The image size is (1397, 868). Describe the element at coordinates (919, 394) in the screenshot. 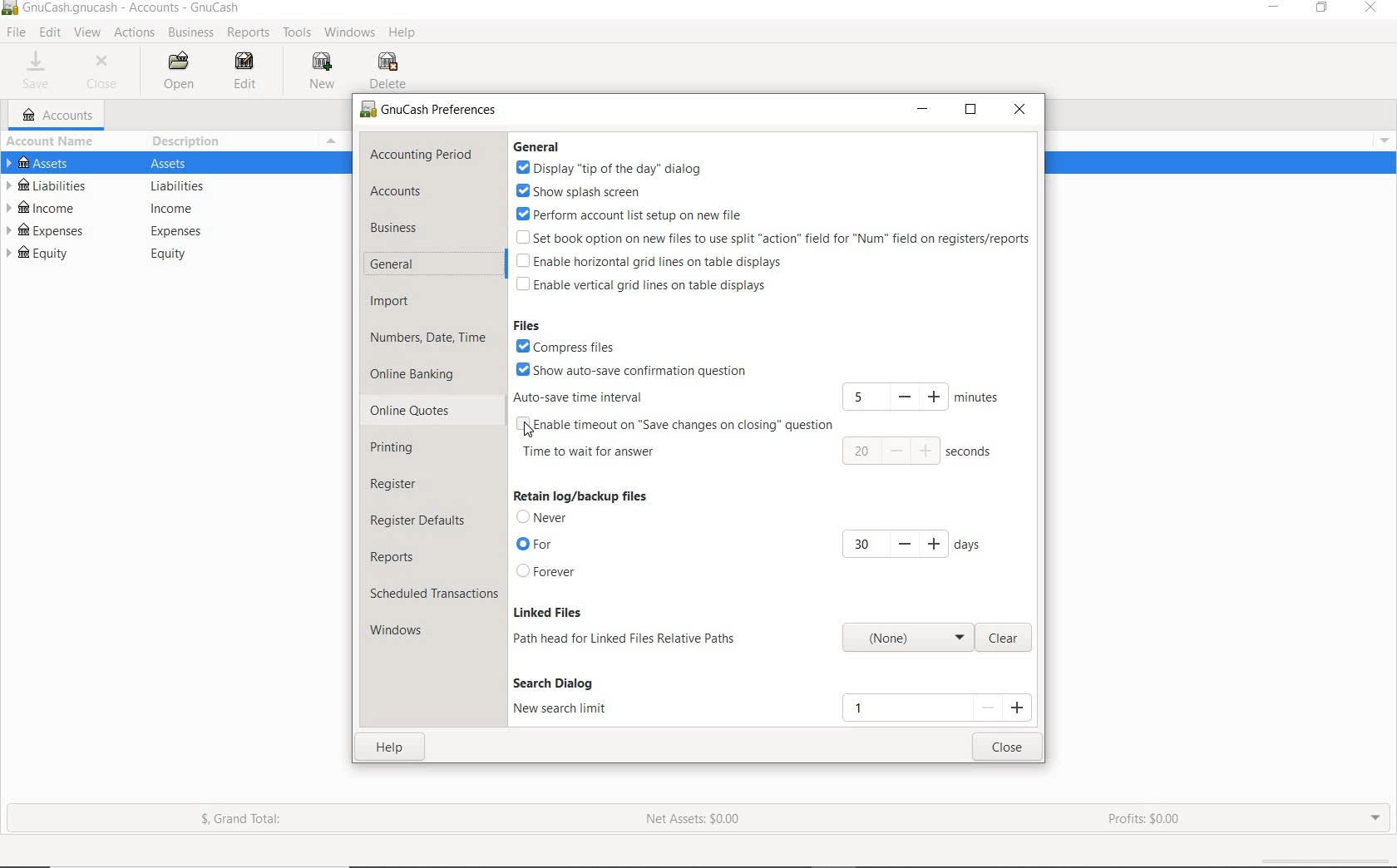

I see `NUMBER OF MINUTE UNTIL SAVING DATA` at that location.